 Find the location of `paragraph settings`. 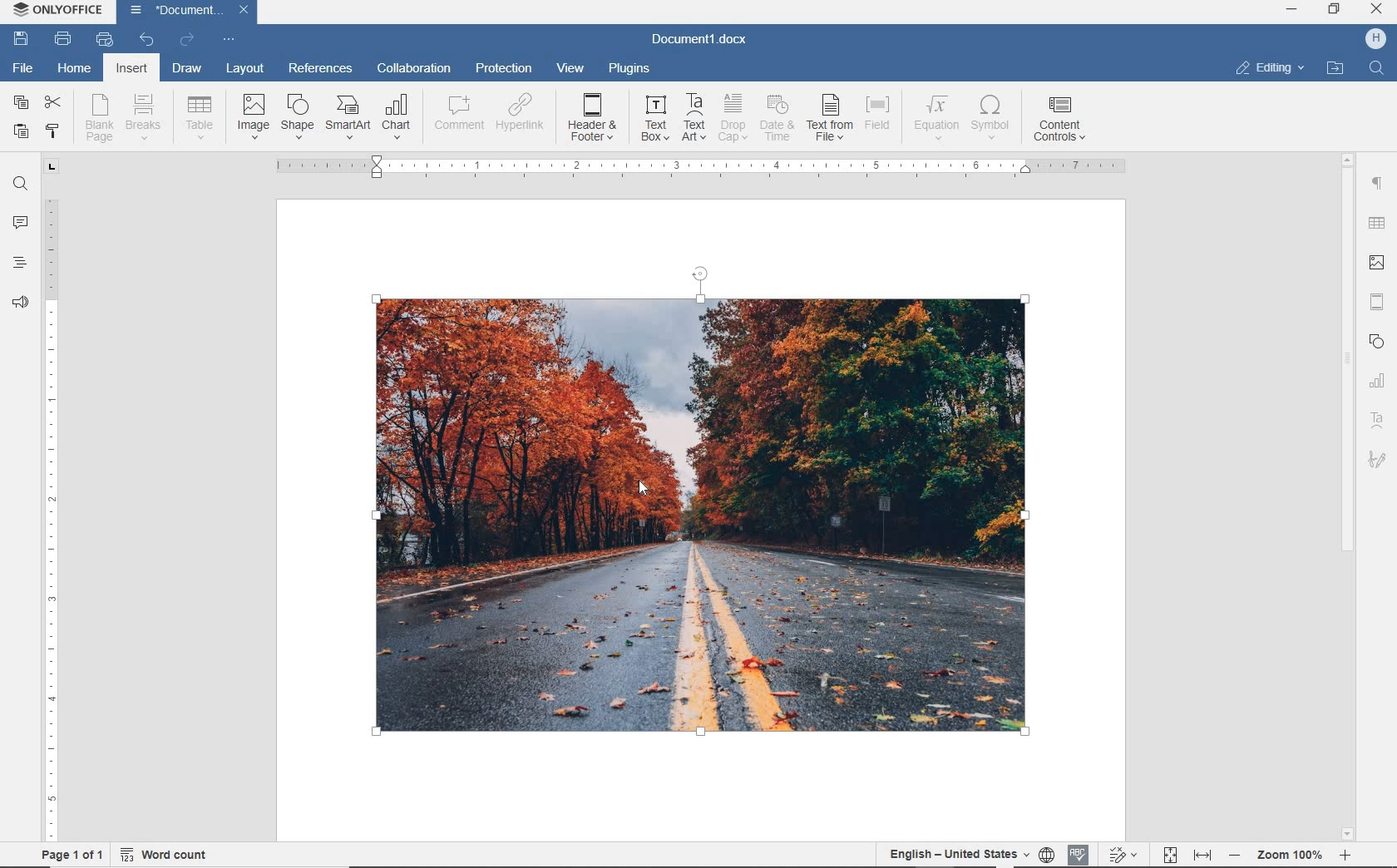

paragraph settings is located at coordinates (1380, 185).